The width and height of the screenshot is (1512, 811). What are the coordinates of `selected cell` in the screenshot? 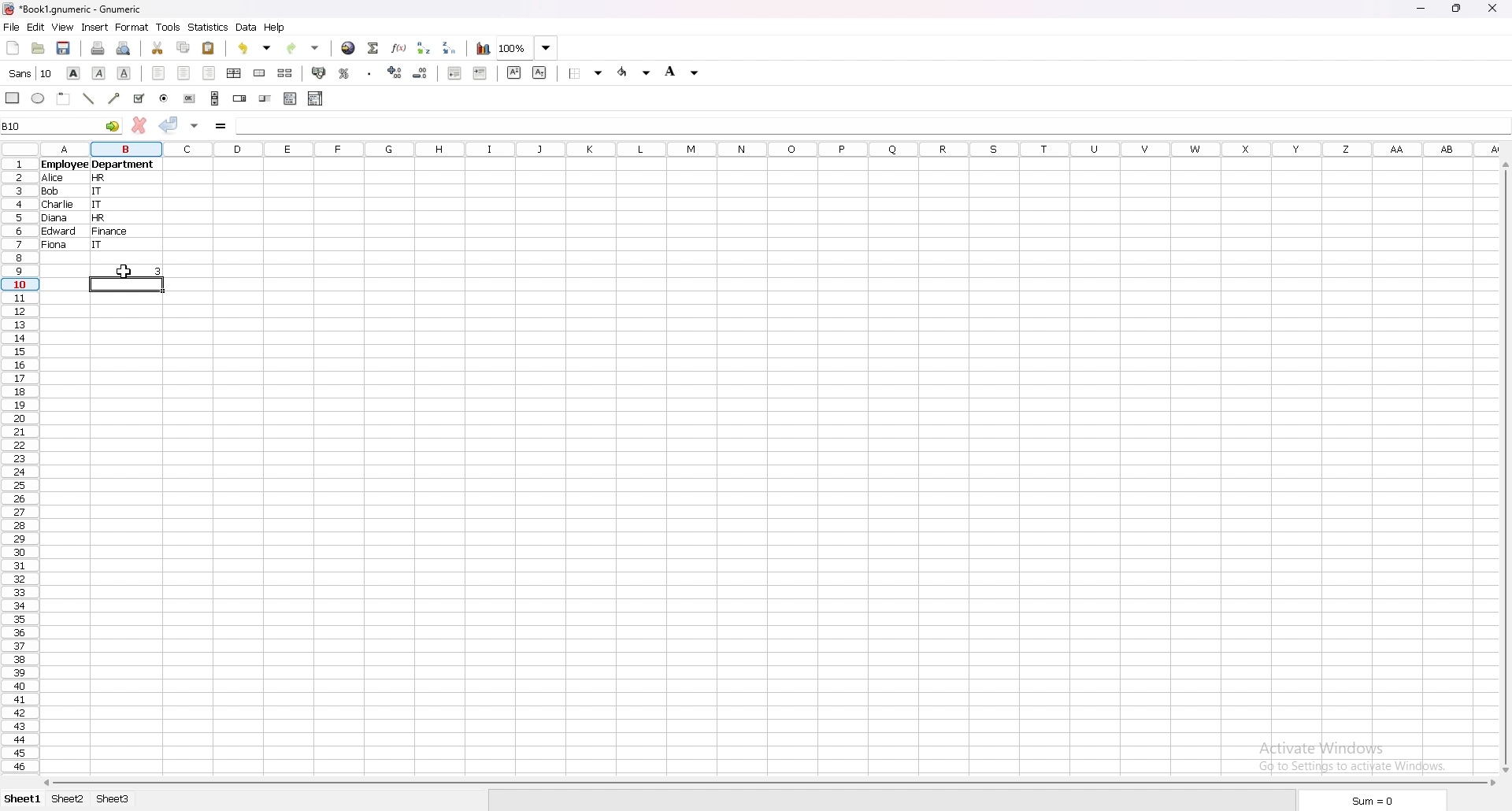 It's located at (126, 285).